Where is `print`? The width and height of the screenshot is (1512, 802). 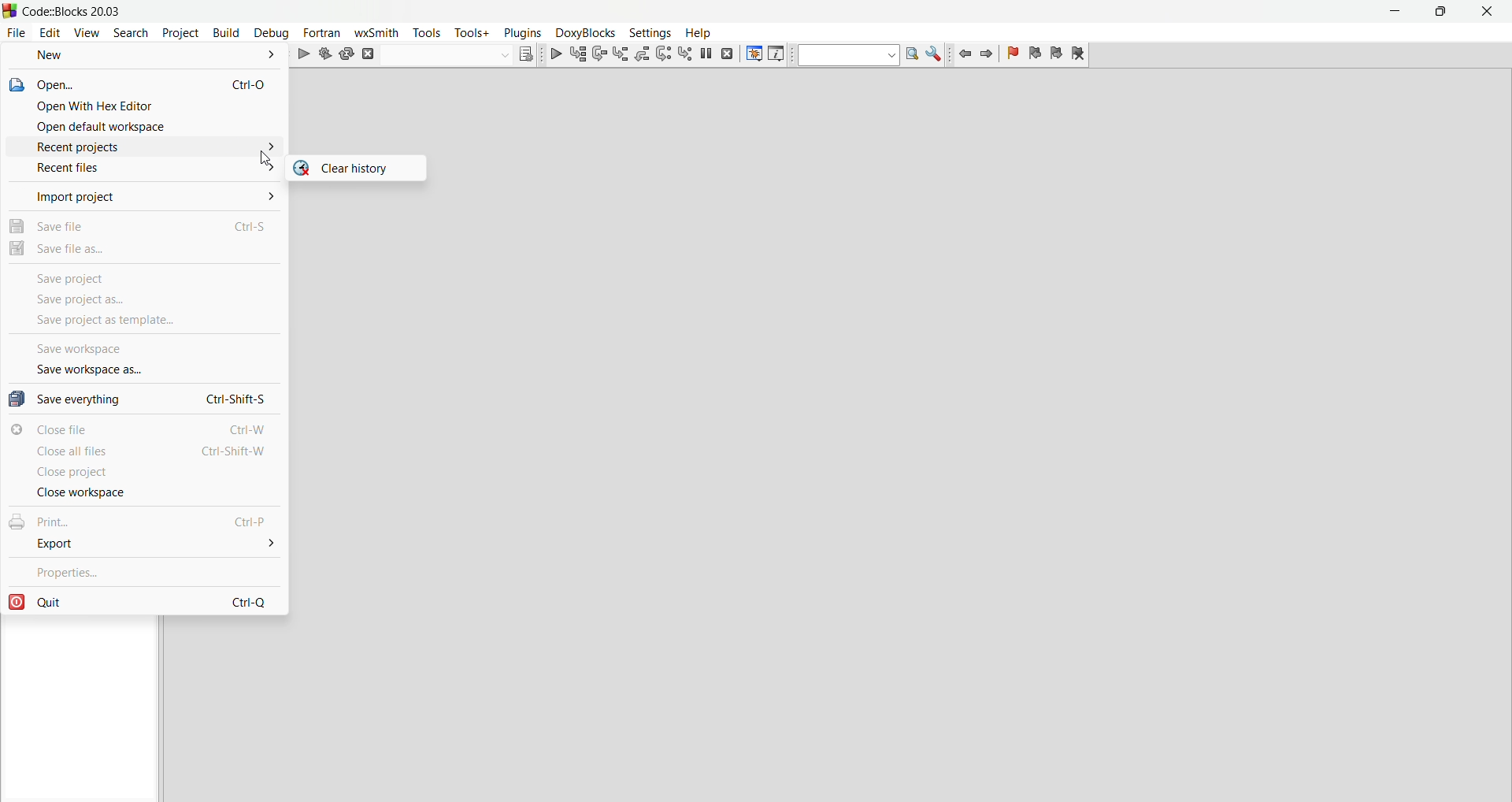
print is located at coordinates (145, 520).